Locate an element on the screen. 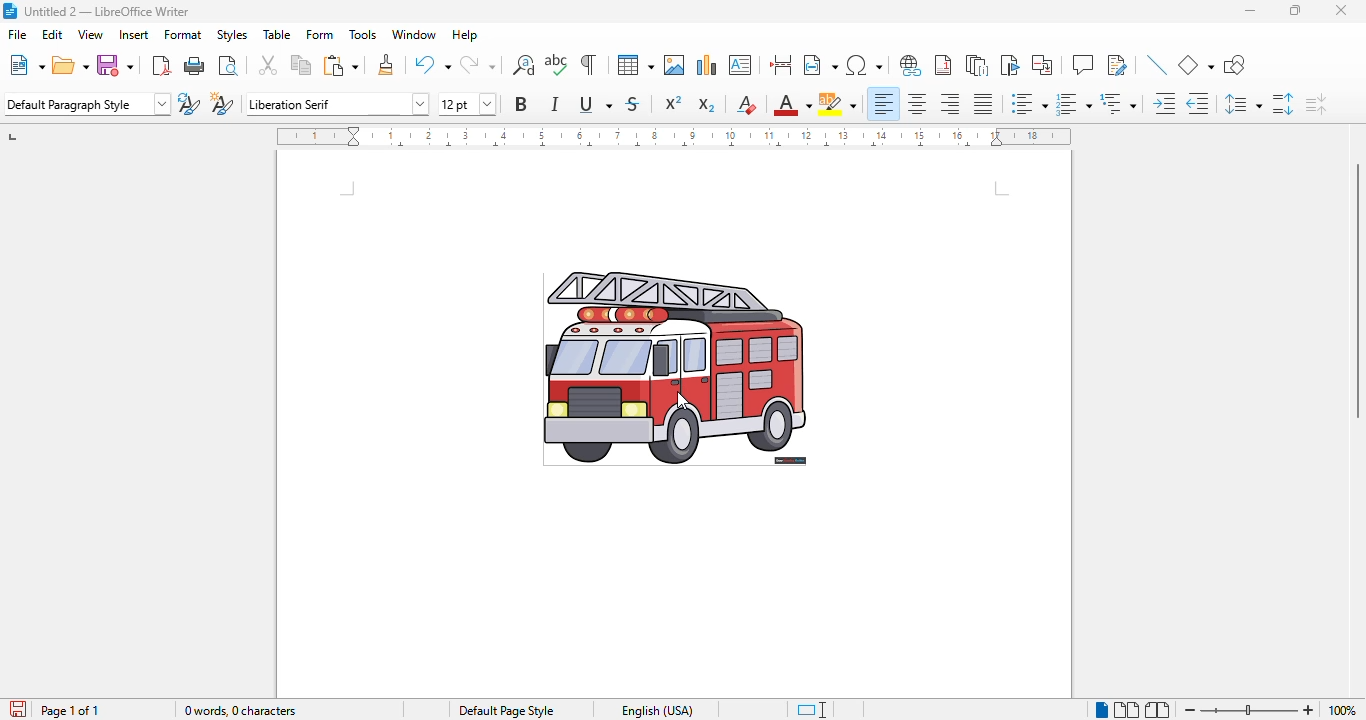 The width and height of the screenshot is (1366, 720). save is located at coordinates (115, 64).